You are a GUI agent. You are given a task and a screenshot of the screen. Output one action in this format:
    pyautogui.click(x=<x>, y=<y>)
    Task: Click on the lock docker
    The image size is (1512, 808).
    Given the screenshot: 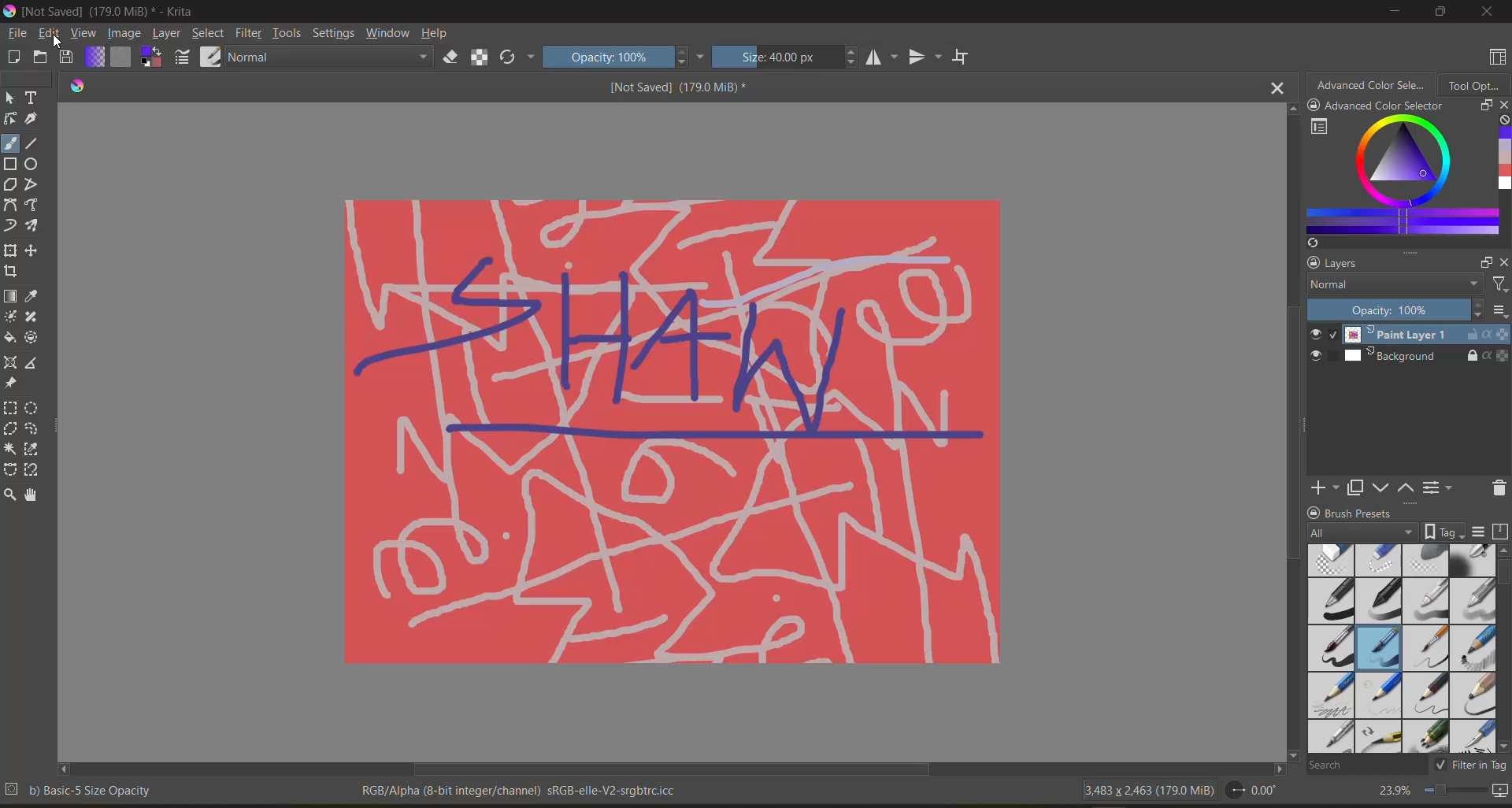 What is the action you would take?
    pyautogui.click(x=1313, y=511)
    